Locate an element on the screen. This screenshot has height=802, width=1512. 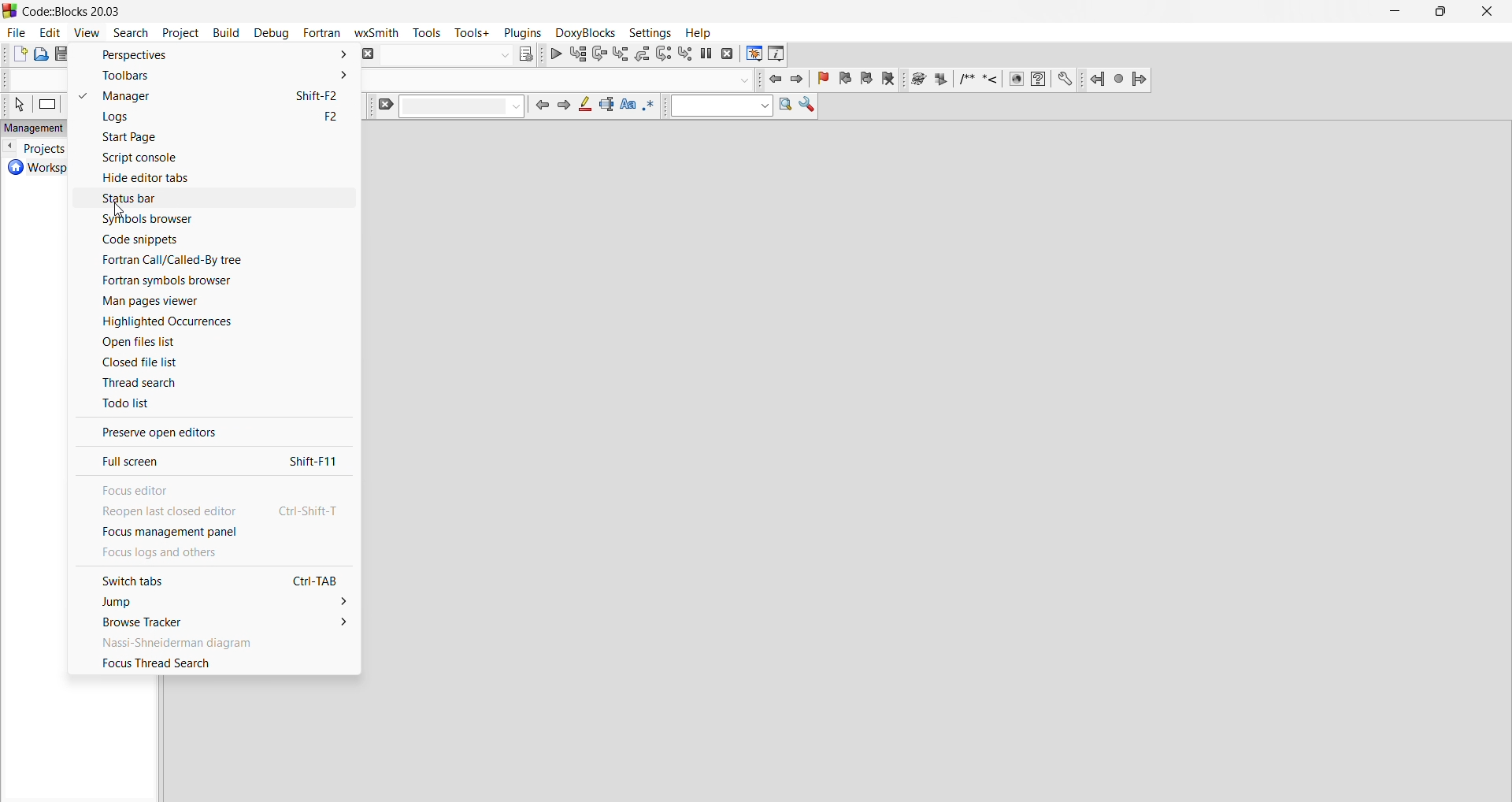
toolbars is located at coordinates (212, 77).